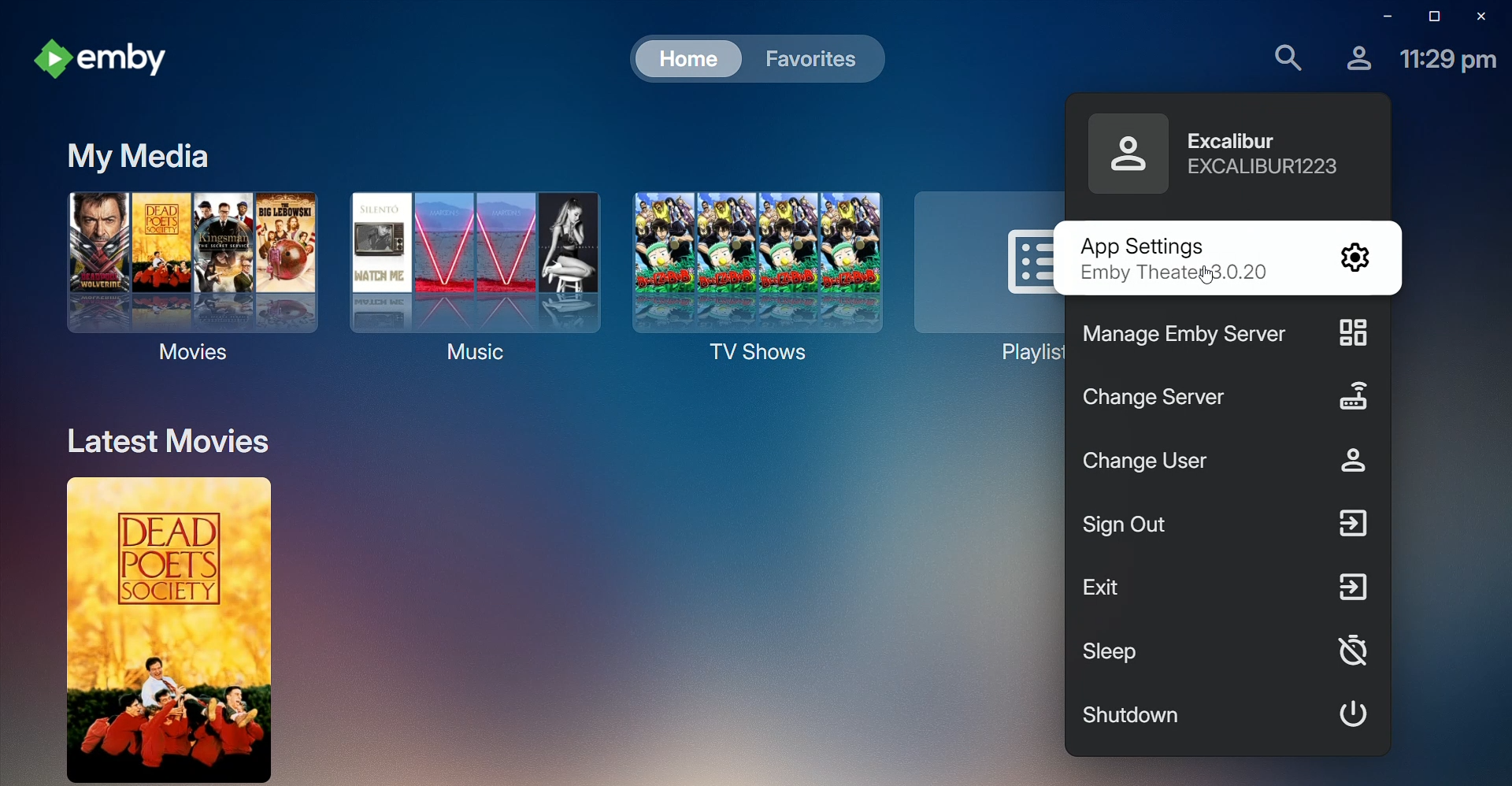  I want to click on Change Server, so click(1228, 402).